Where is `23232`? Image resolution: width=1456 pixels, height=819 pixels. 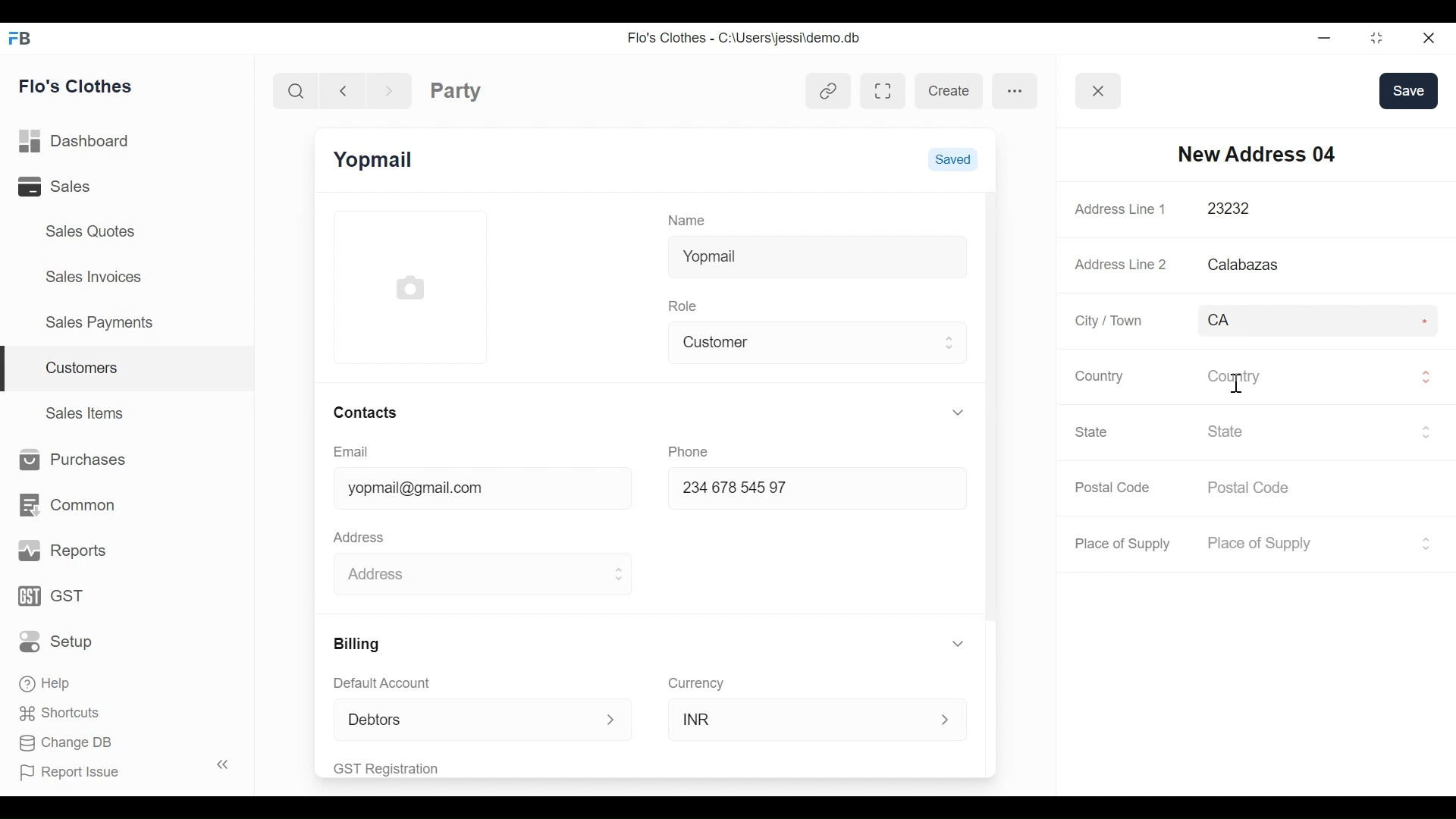 23232 is located at coordinates (1302, 209).